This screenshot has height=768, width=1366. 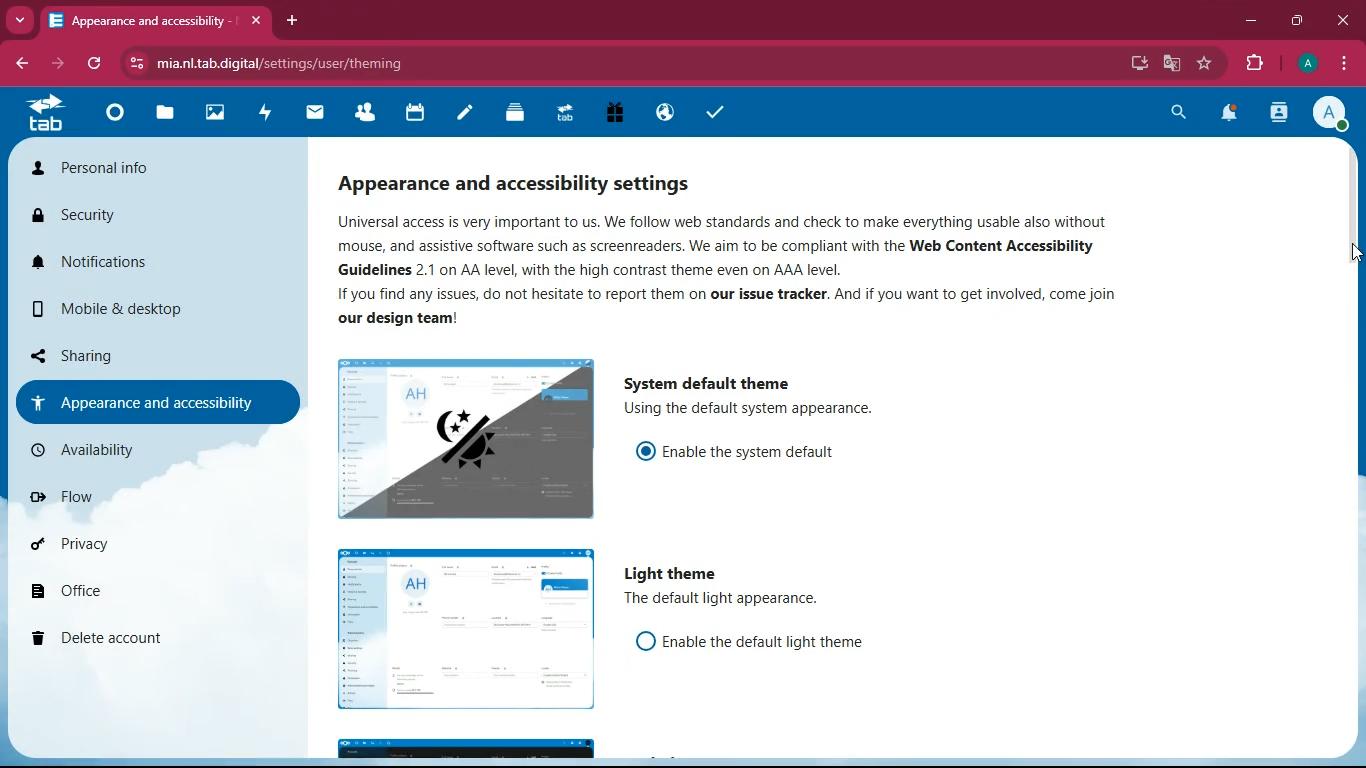 What do you see at coordinates (133, 63) in the screenshot?
I see `view site information` at bounding box center [133, 63].